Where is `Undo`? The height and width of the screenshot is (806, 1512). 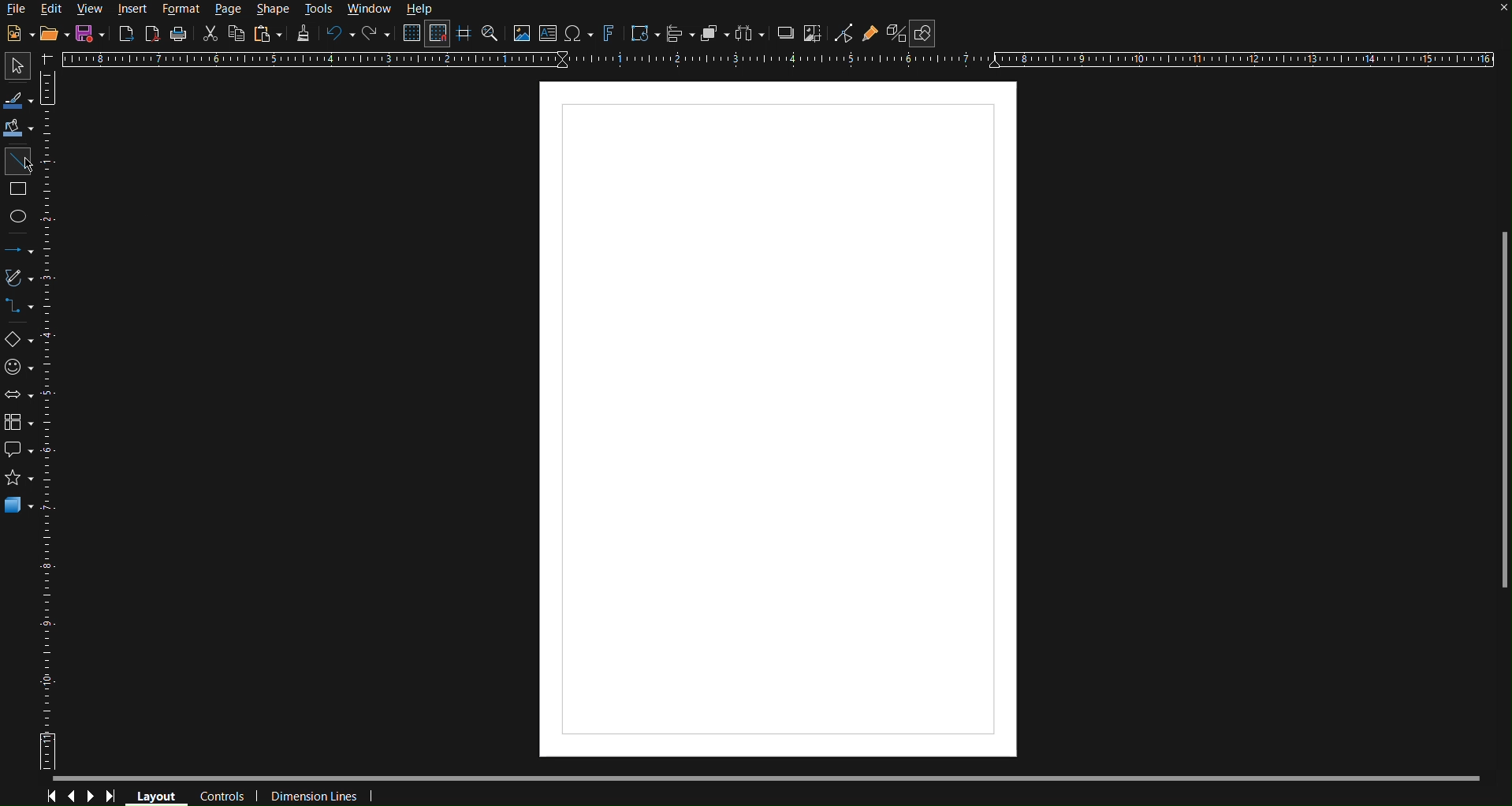
Undo is located at coordinates (341, 34).